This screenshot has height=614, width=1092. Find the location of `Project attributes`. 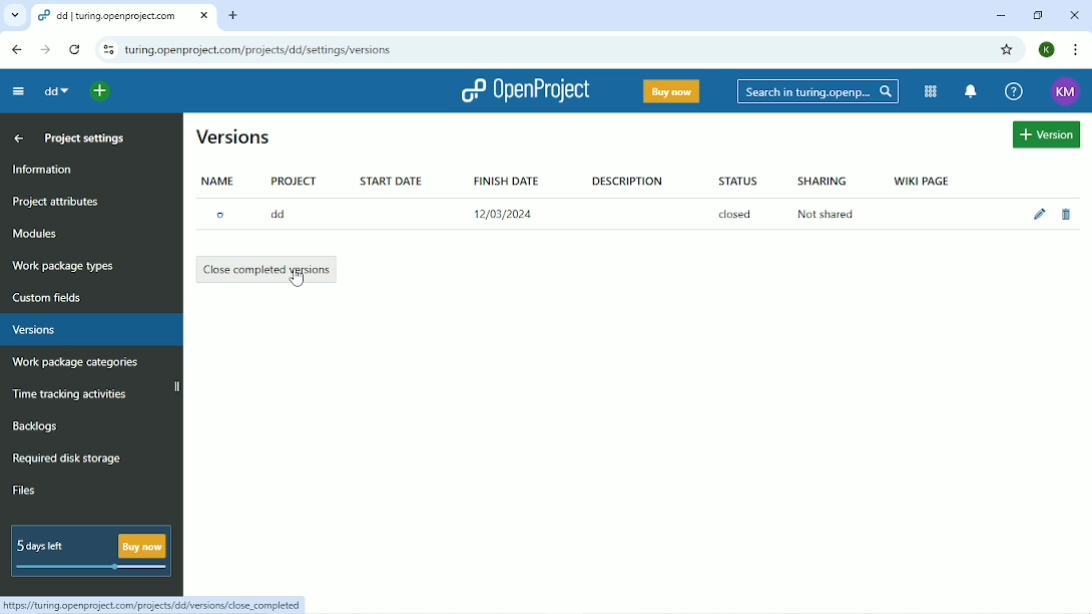

Project attributes is located at coordinates (59, 203).